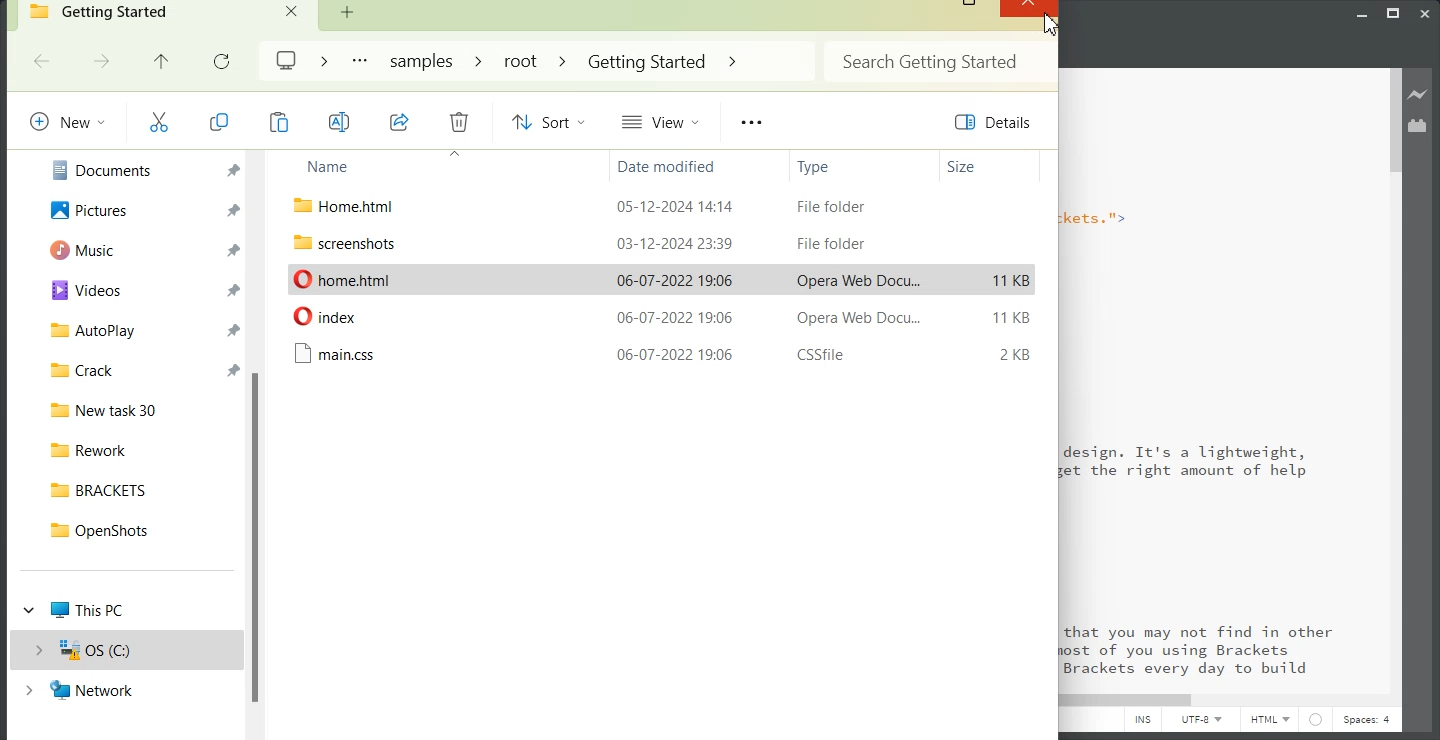 Image resolution: width=1440 pixels, height=740 pixels. Describe the element at coordinates (1270, 721) in the screenshot. I see `HTML` at that location.